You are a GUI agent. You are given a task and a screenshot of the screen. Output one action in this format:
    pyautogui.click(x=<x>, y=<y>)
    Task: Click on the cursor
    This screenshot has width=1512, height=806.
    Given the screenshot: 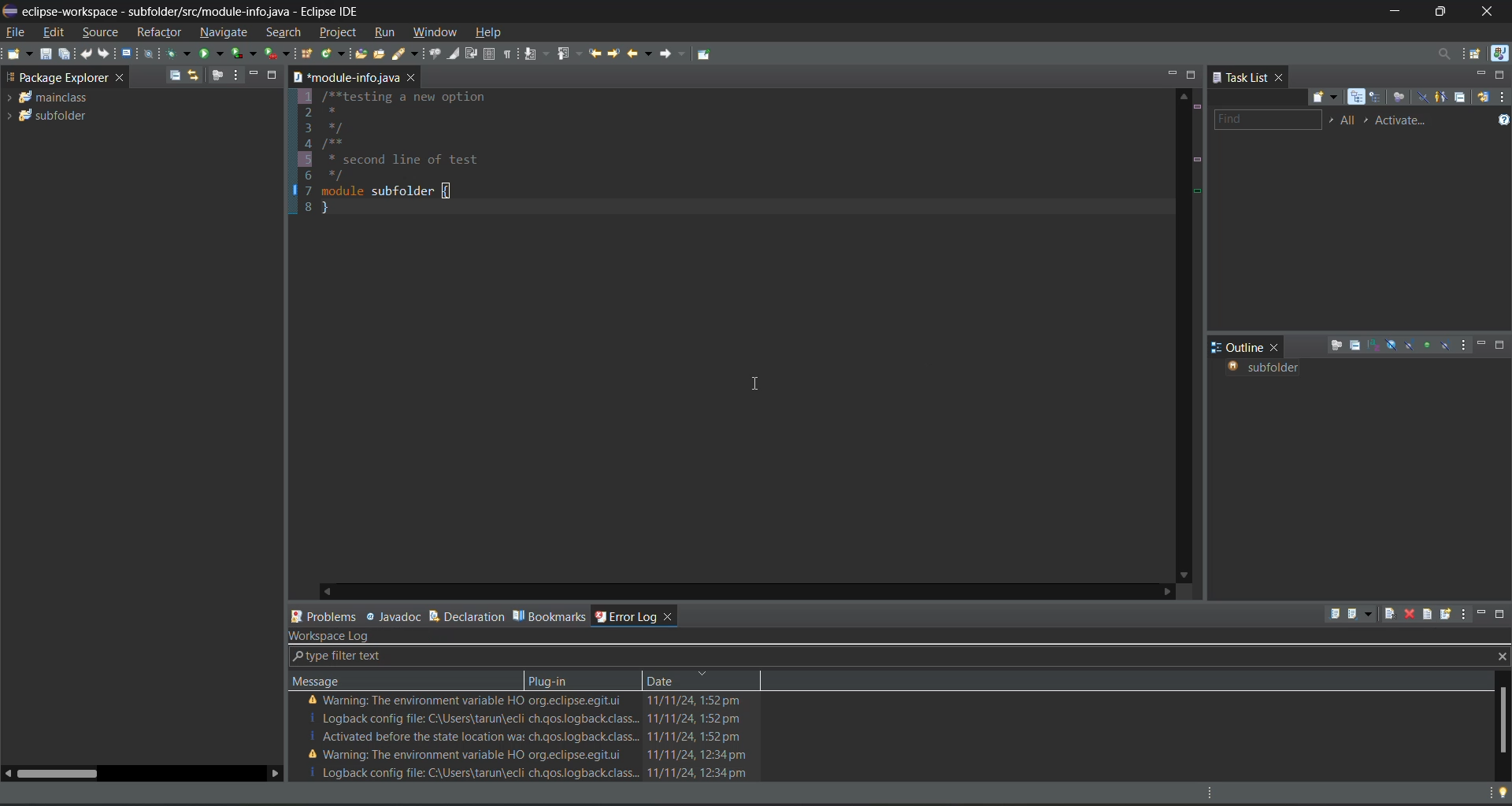 What is the action you would take?
    pyautogui.click(x=461, y=31)
    